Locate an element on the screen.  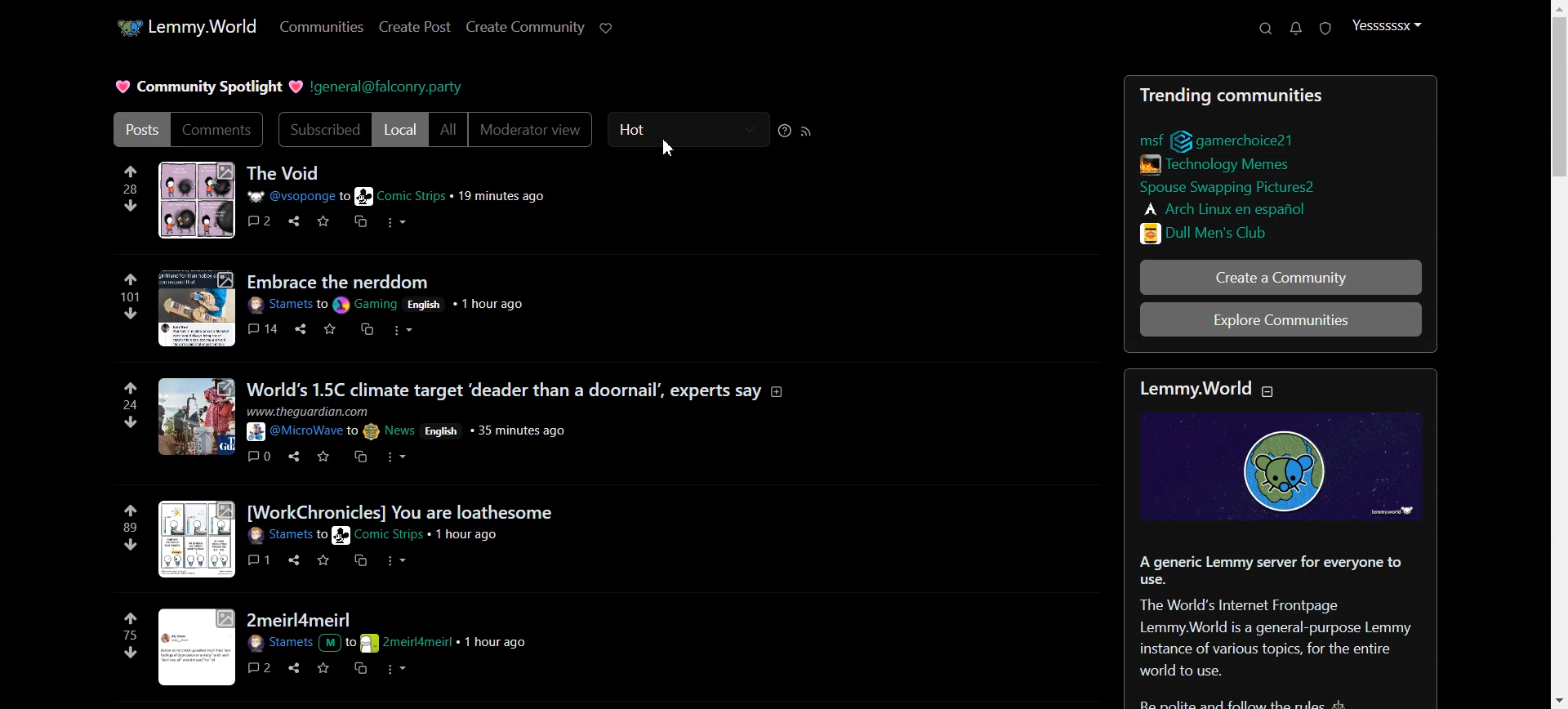
Unread Message is located at coordinates (1297, 29).